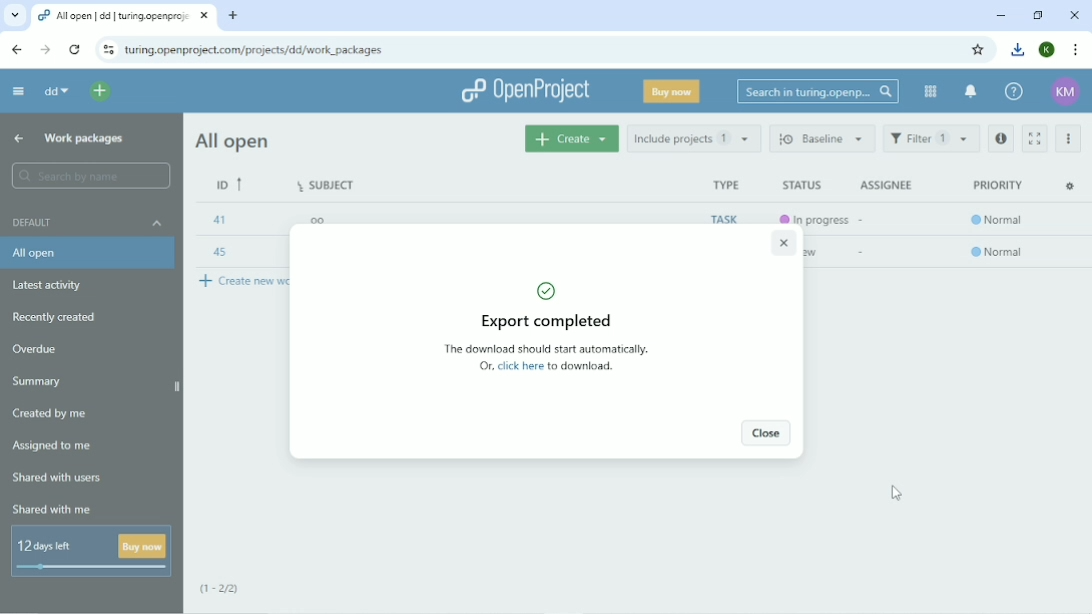  What do you see at coordinates (725, 184) in the screenshot?
I see `Type` at bounding box center [725, 184].